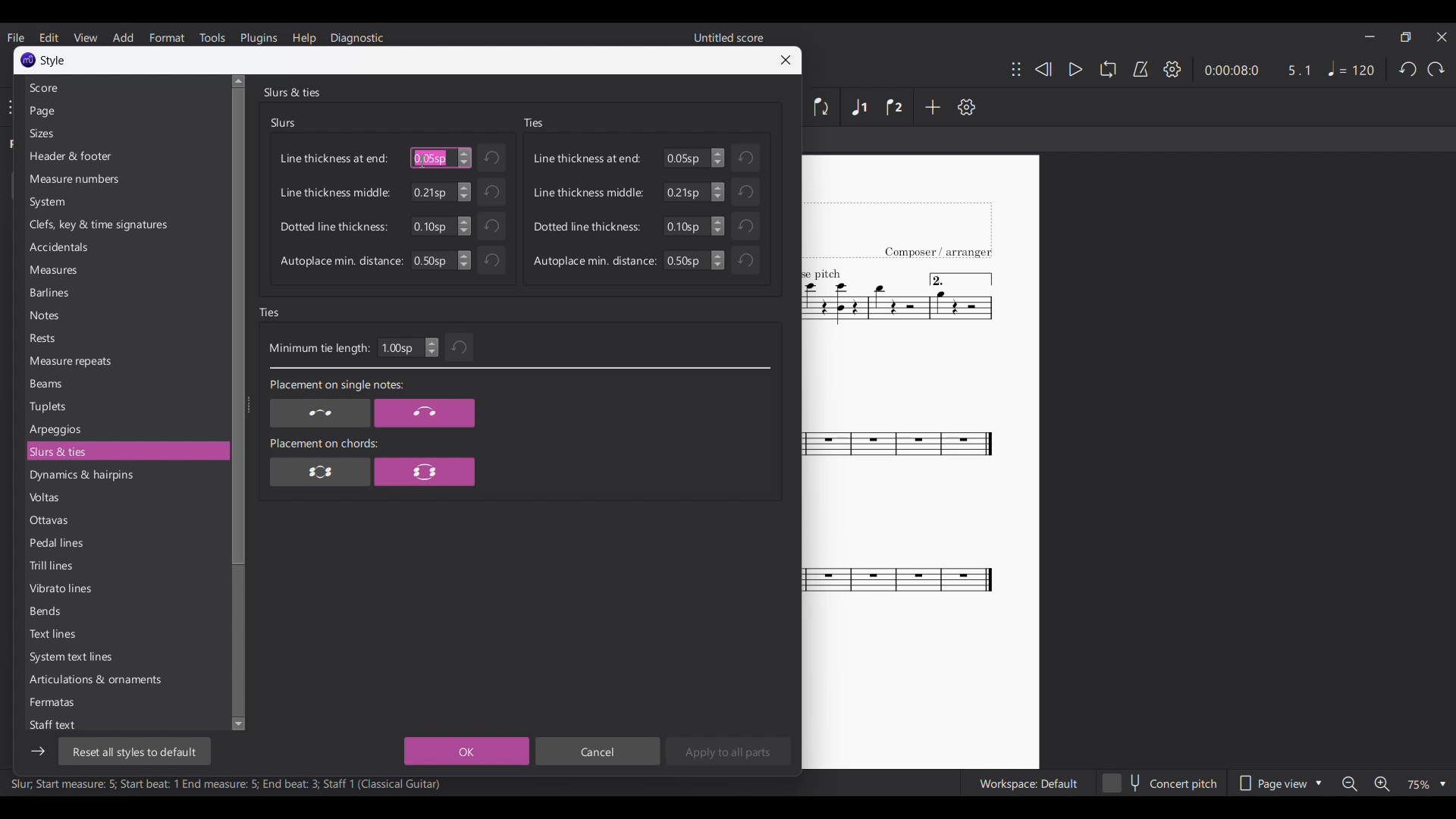  I want to click on Tools menu, so click(212, 37).